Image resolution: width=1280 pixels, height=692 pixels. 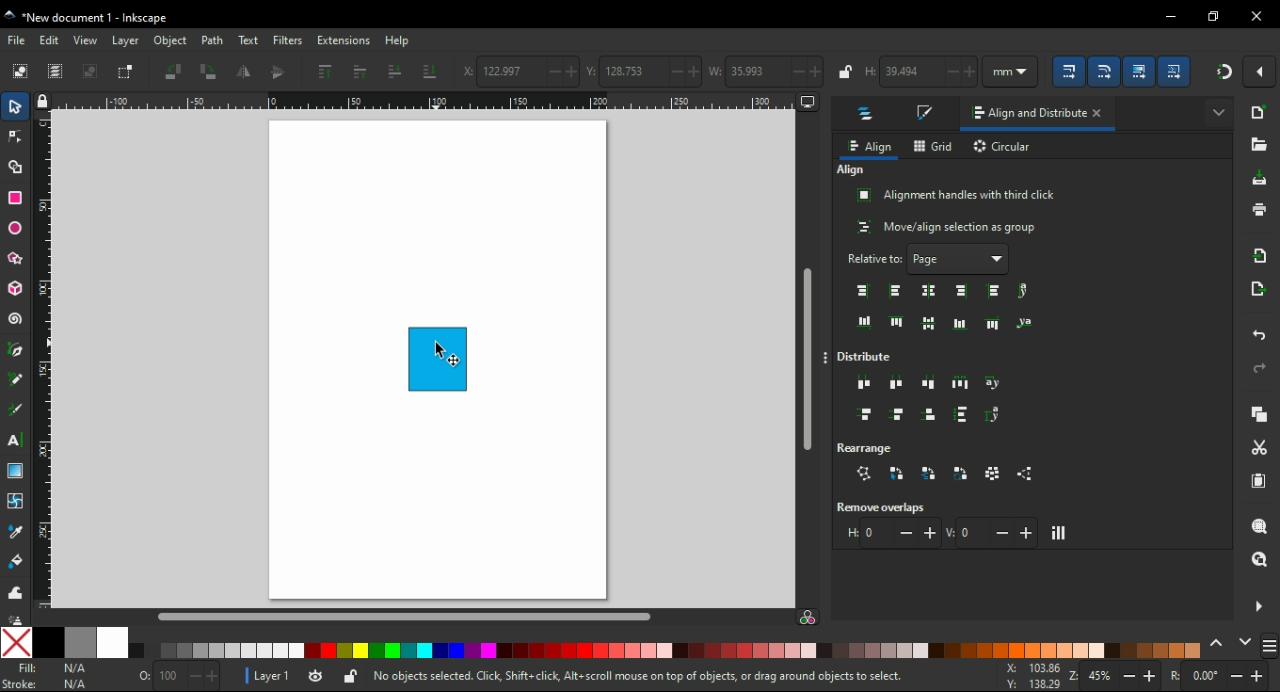 What do you see at coordinates (16, 259) in the screenshot?
I see `star/polygon tool` at bounding box center [16, 259].